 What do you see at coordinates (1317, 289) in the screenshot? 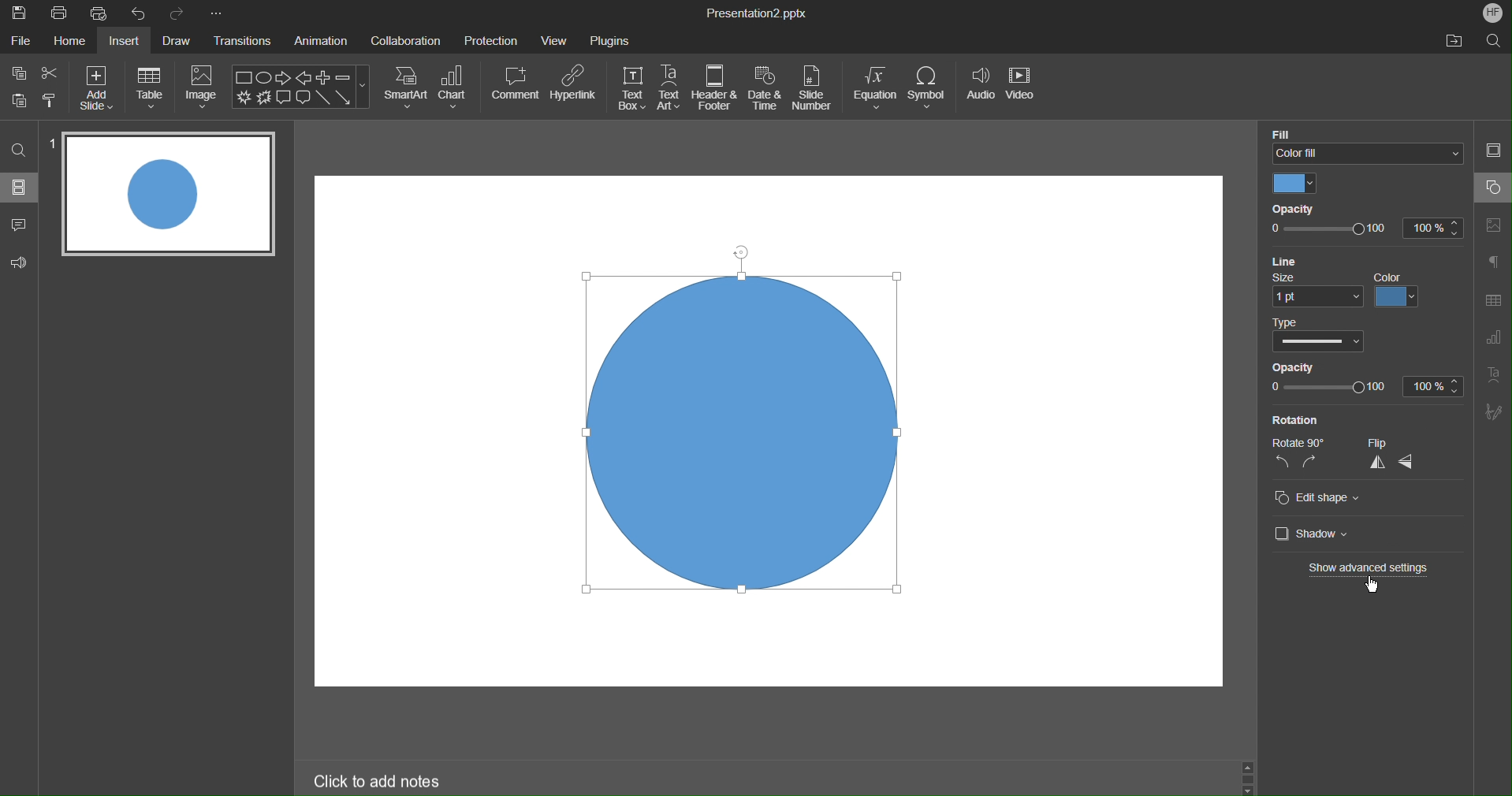
I see `size` at bounding box center [1317, 289].